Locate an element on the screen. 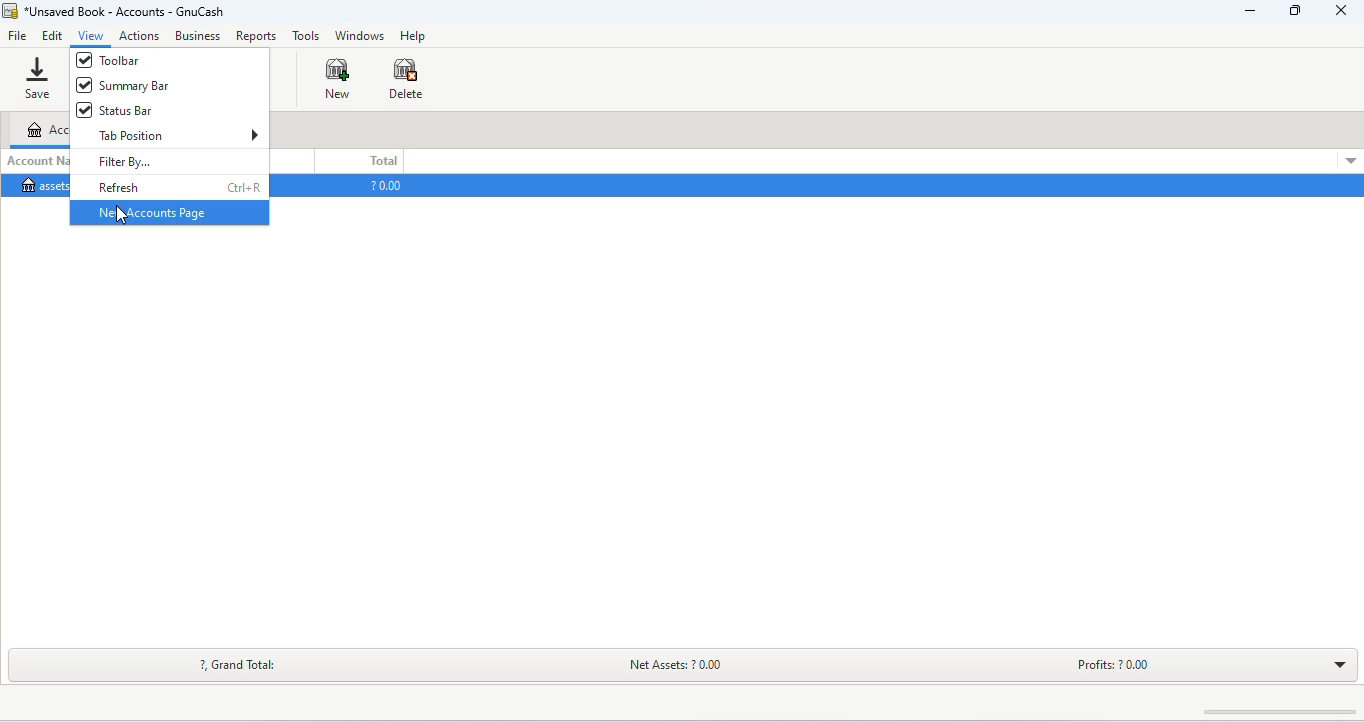 This screenshot has height=722, width=1364. help is located at coordinates (414, 37).